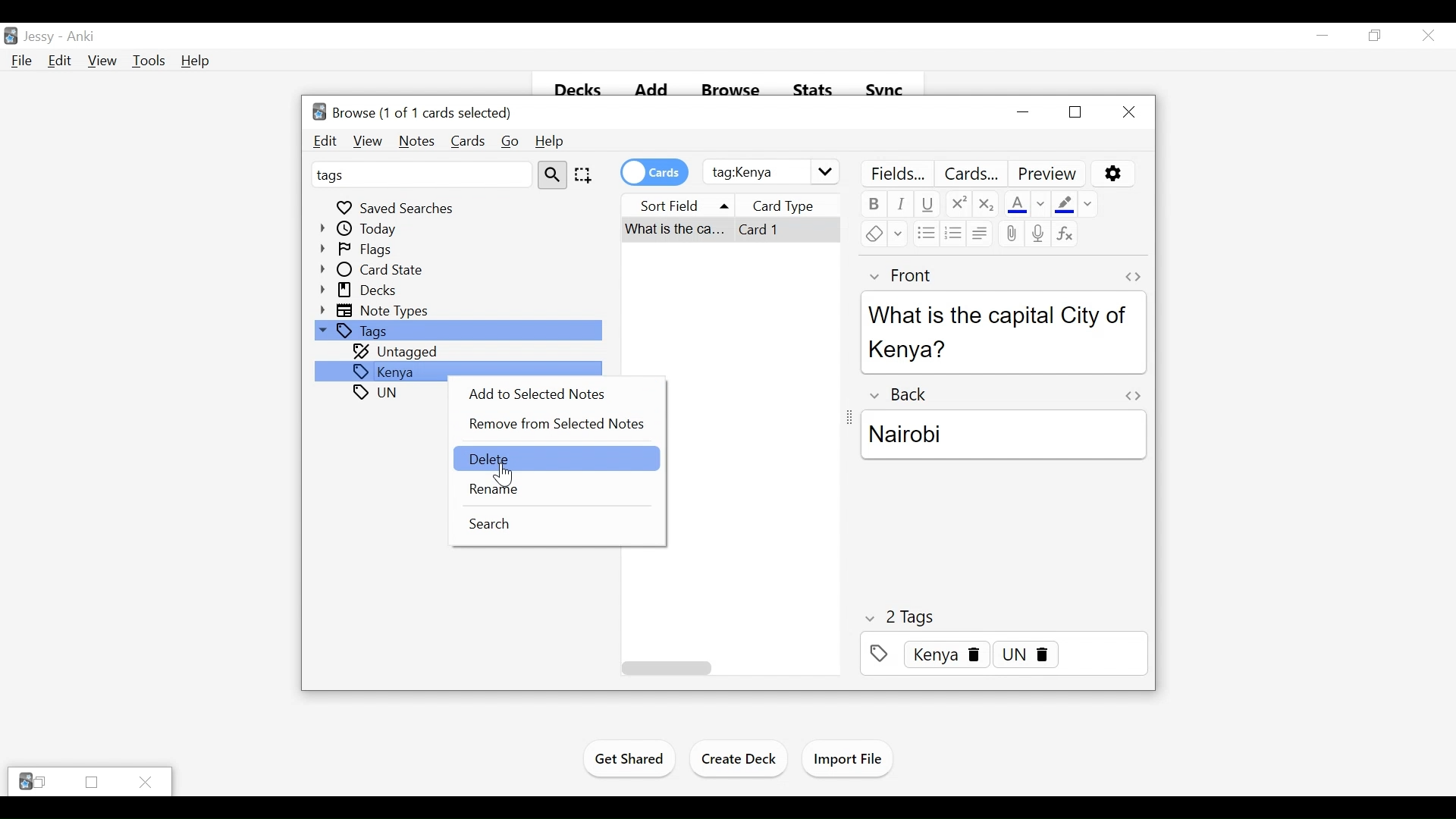  I want to click on Search Field, so click(771, 172).